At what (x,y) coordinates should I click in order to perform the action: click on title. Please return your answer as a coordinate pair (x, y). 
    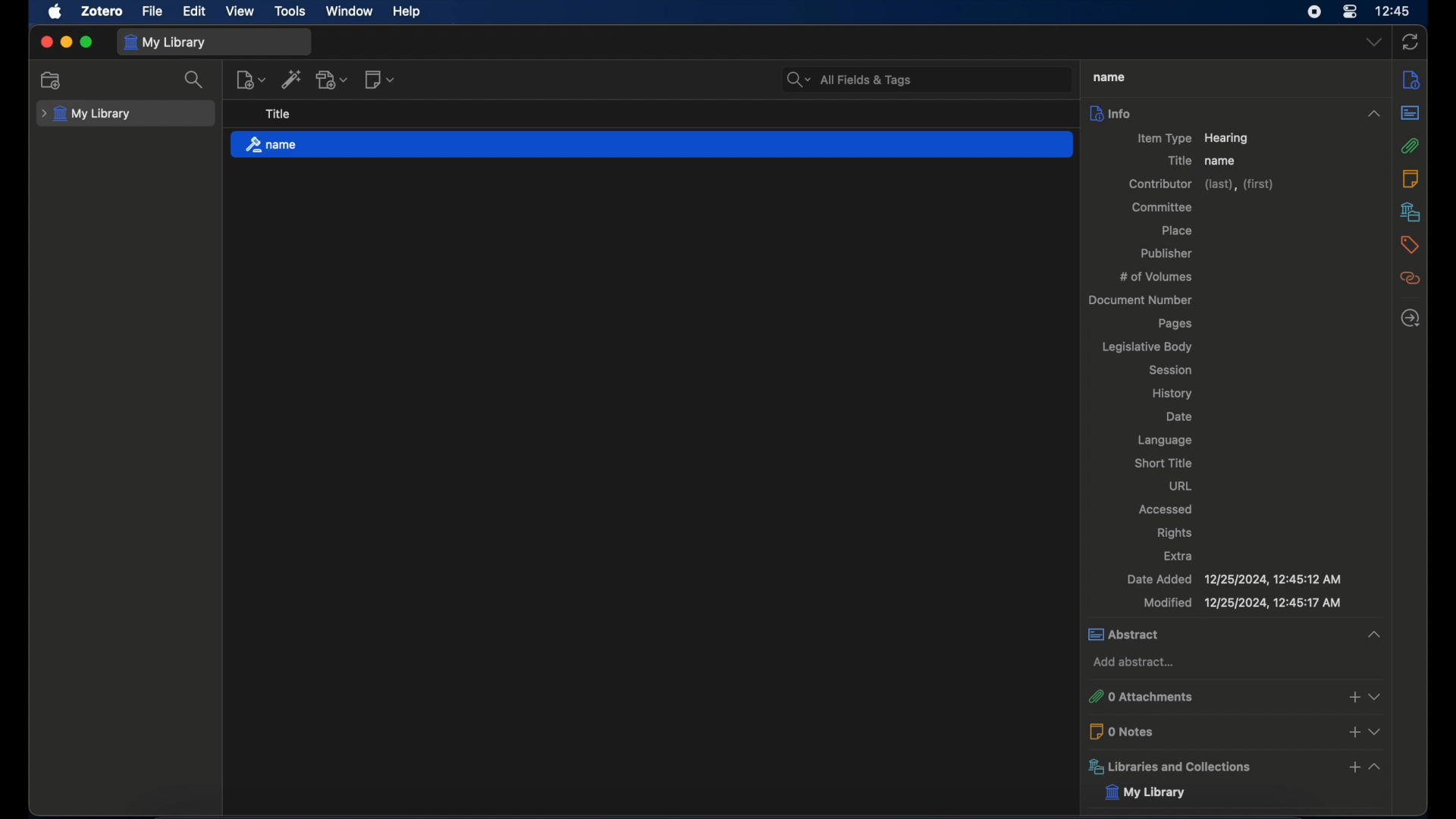
    Looking at the image, I should click on (1178, 160).